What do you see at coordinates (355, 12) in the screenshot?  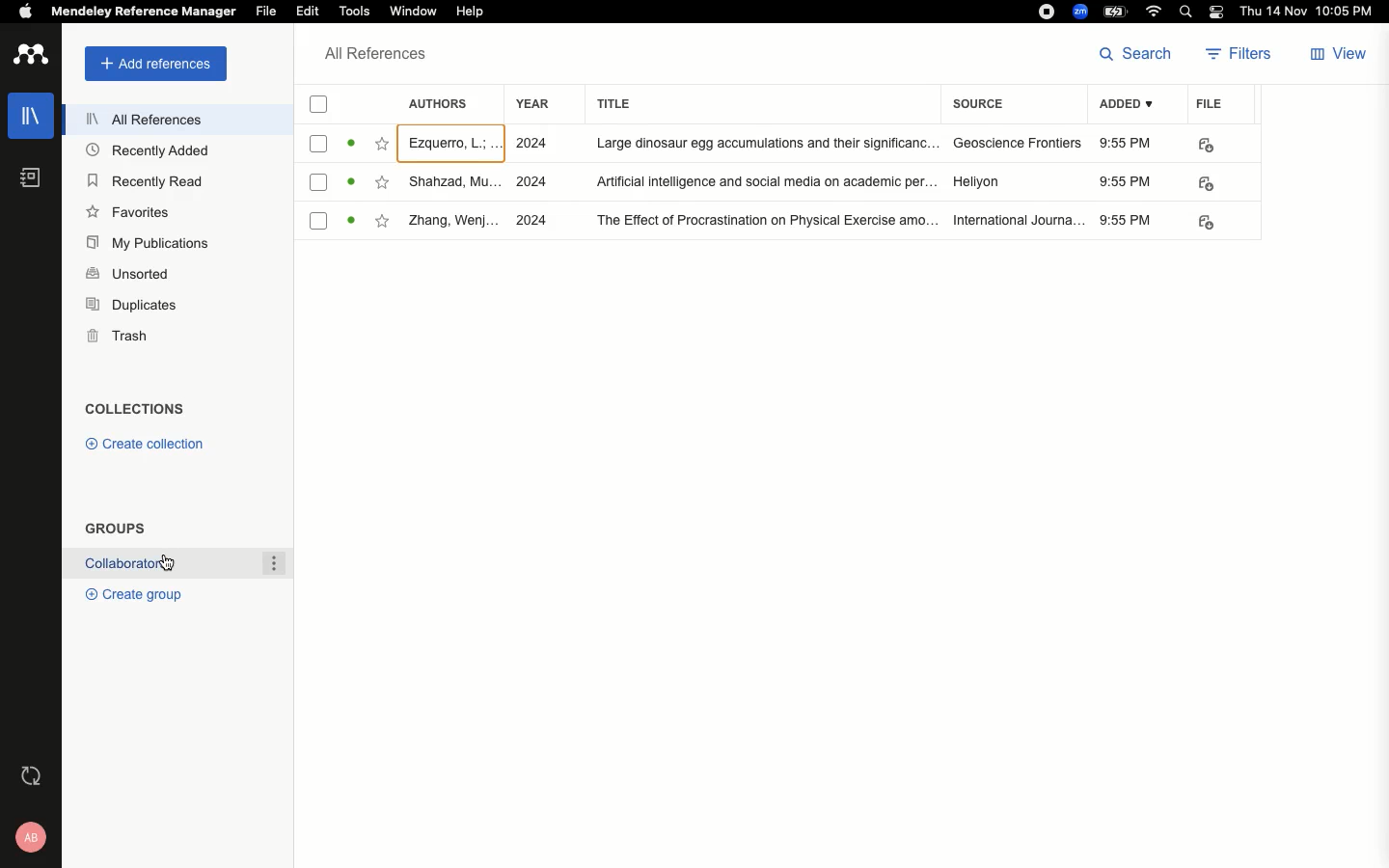 I see `Tools` at bounding box center [355, 12].